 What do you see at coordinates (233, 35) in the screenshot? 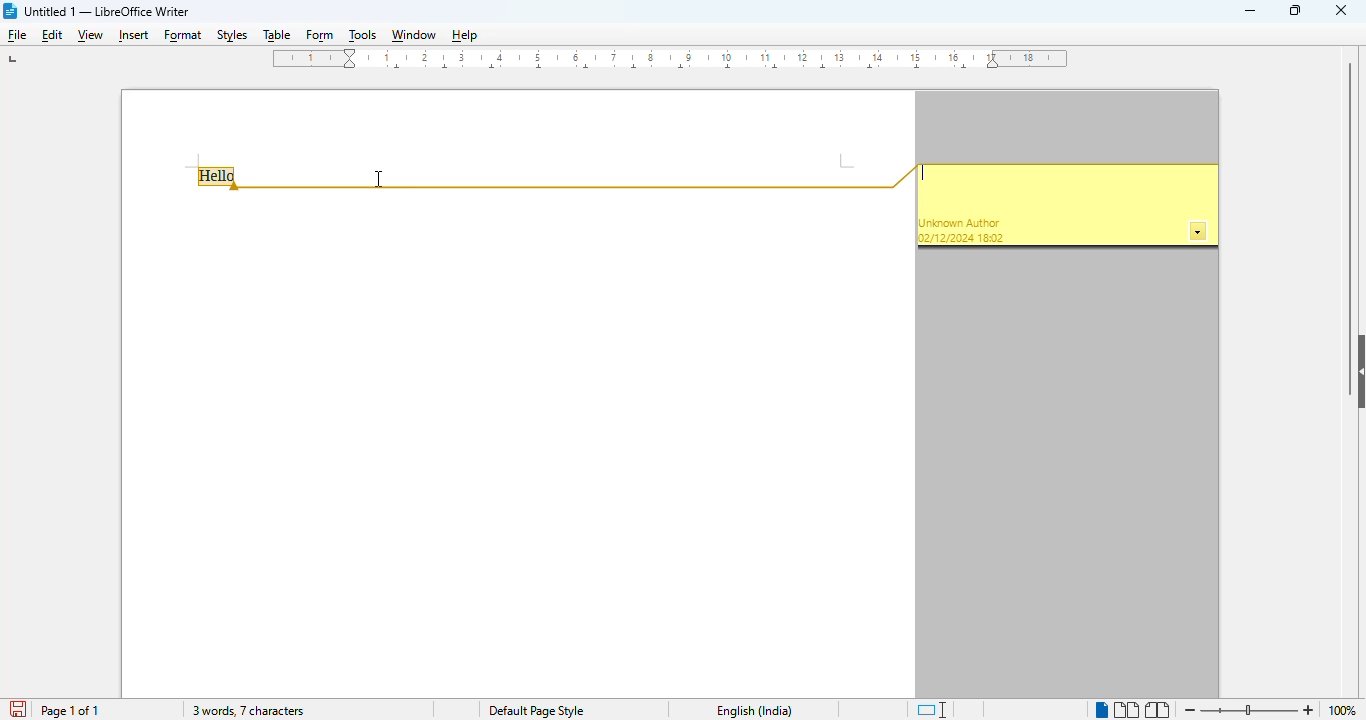
I see `styles` at bounding box center [233, 35].